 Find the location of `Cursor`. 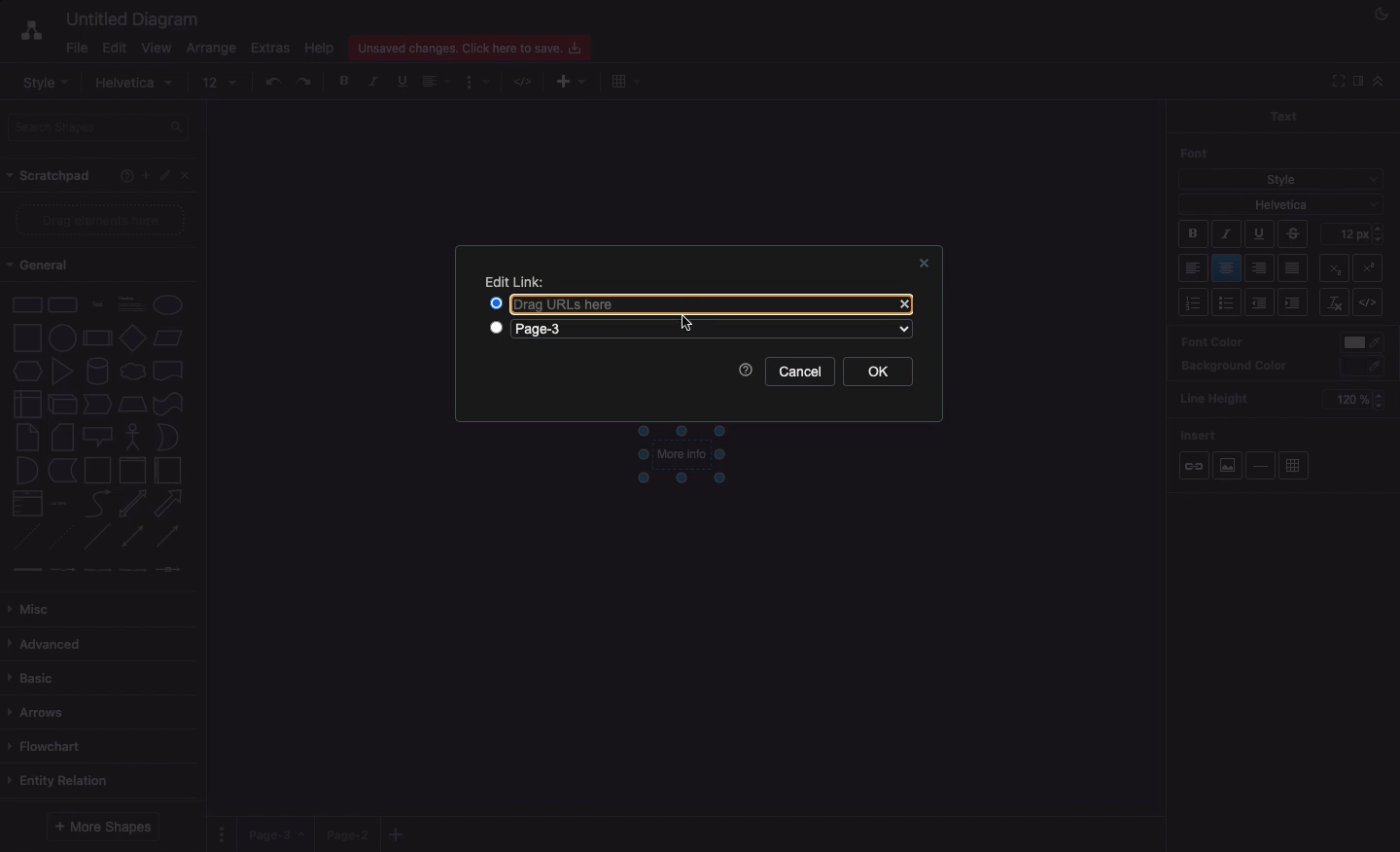

Cursor is located at coordinates (685, 325).